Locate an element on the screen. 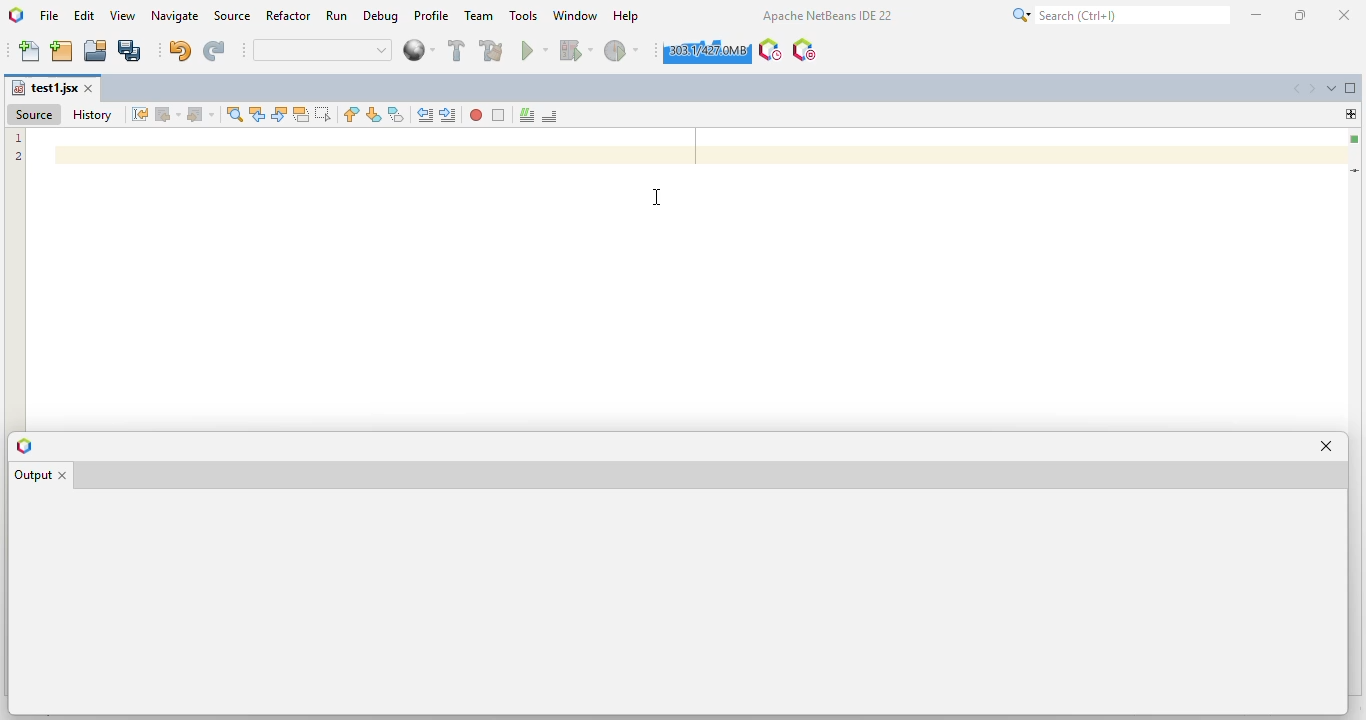 The image size is (1366, 720). uncomment is located at coordinates (551, 116).